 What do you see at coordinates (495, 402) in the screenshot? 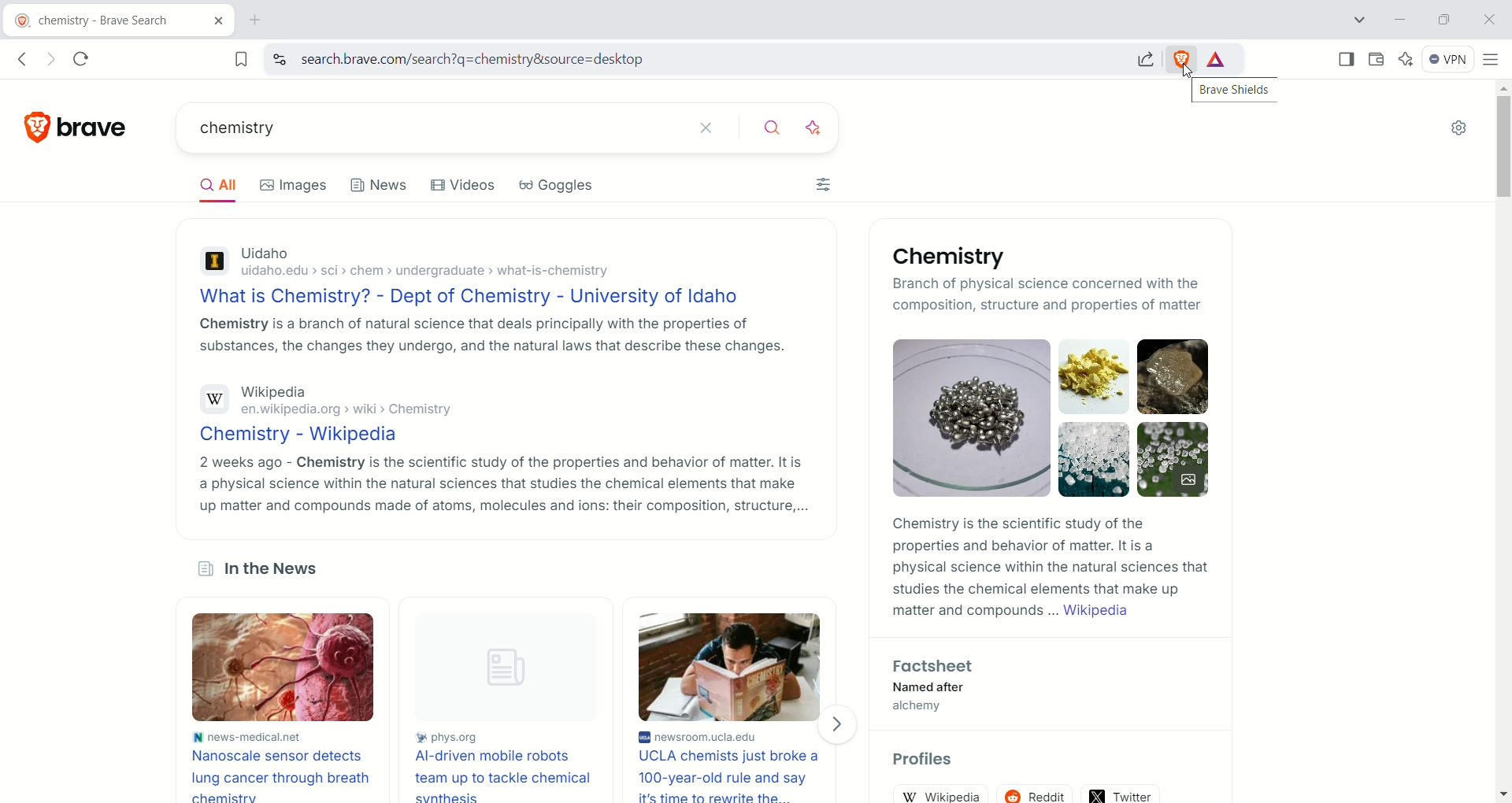
I see `Wikipedia: en.wikipedia.org > wiki > Chemistry` at bounding box center [495, 402].